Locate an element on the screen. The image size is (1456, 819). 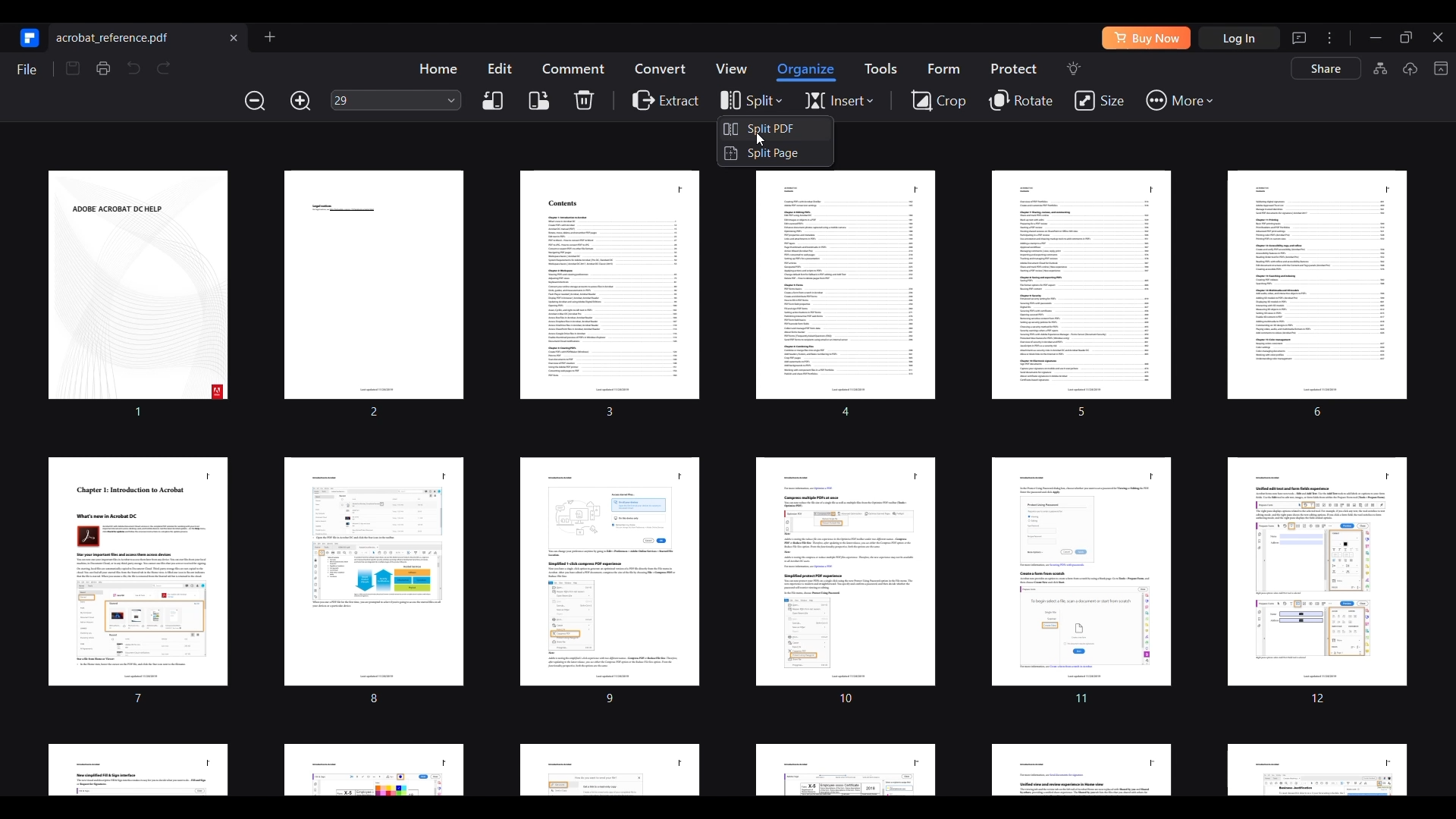
Insert page options is located at coordinates (839, 101).